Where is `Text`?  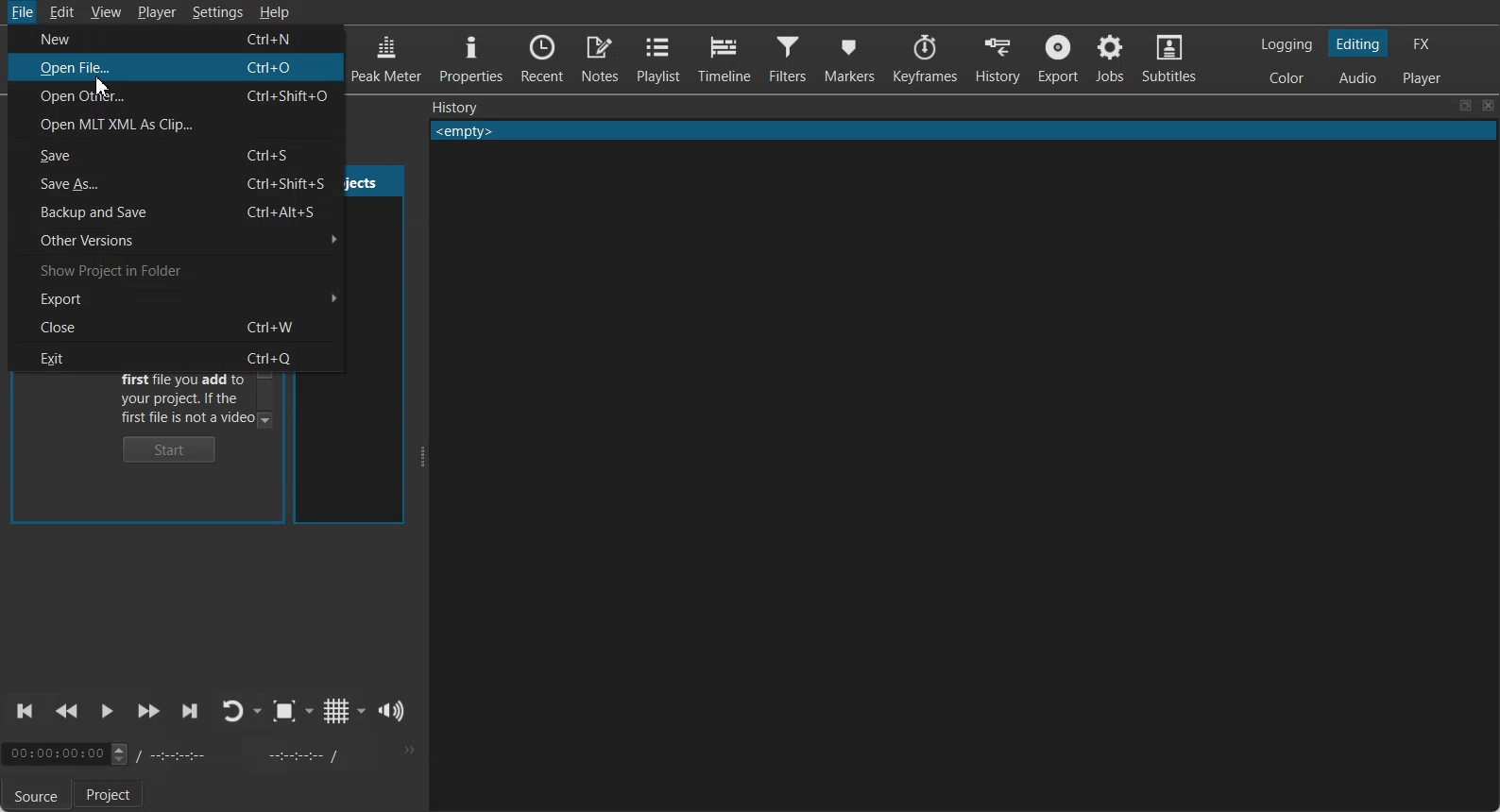 Text is located at coordinates (185, 400).